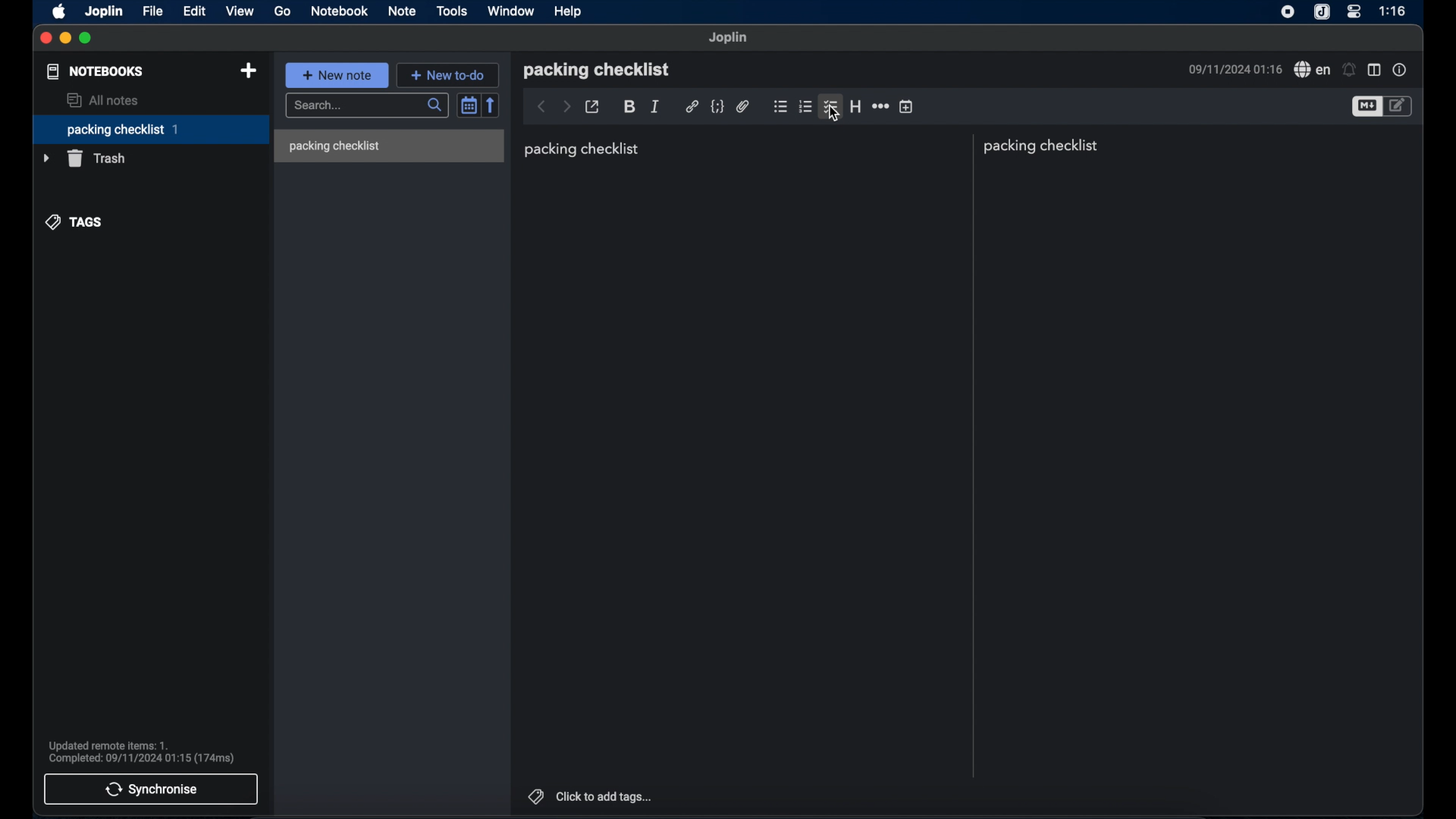  Describe the element at coordinates (971, 456) in the screenshot. I see `divider` at that location.